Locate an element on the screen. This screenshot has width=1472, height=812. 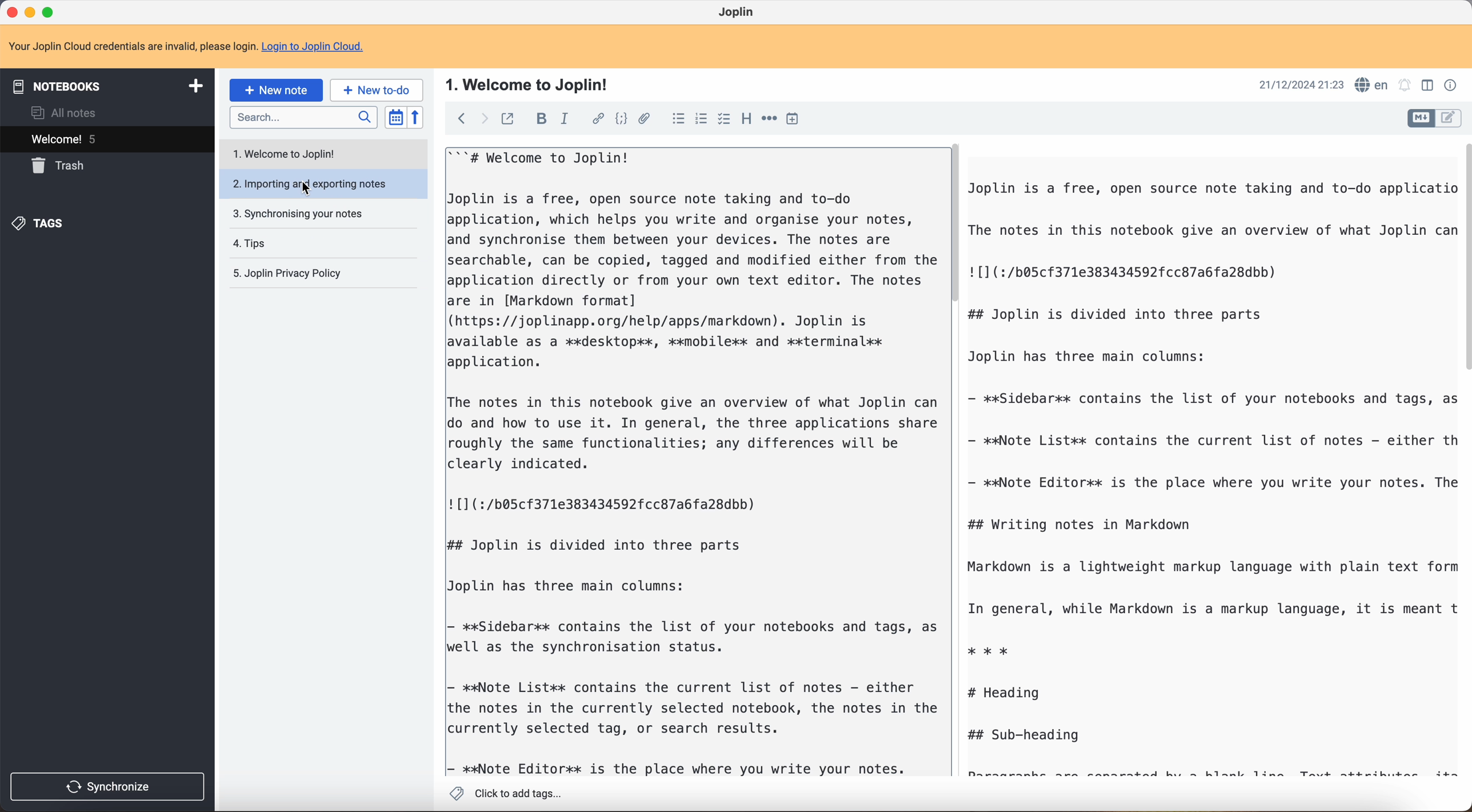
toggle editor layout is located at coordinates (1425, 86).